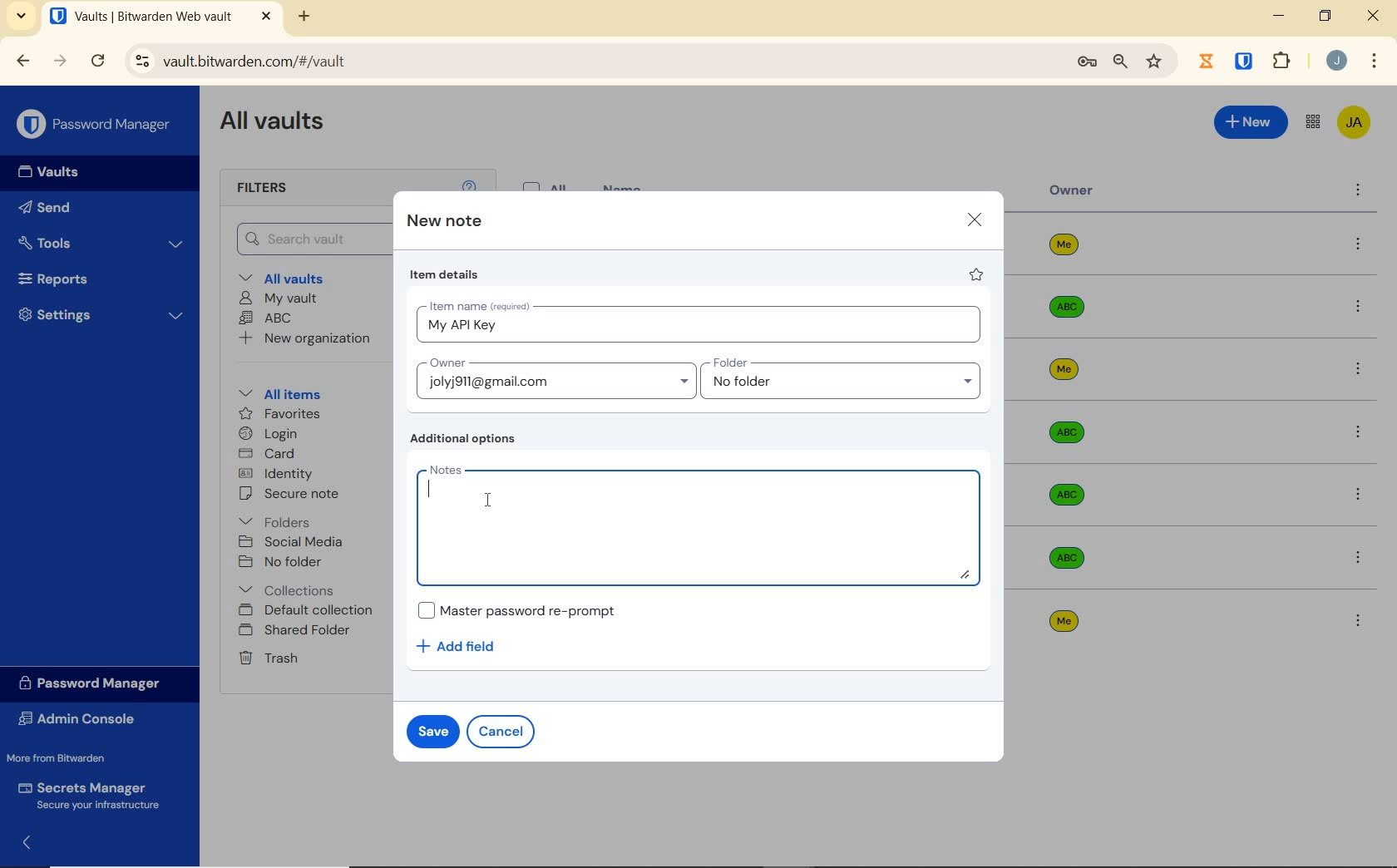 The image size is (1397, 868). What do you see at coordinates (310, 341) in the screenshot?
I see `New organization` at bounding box center [310, 341].